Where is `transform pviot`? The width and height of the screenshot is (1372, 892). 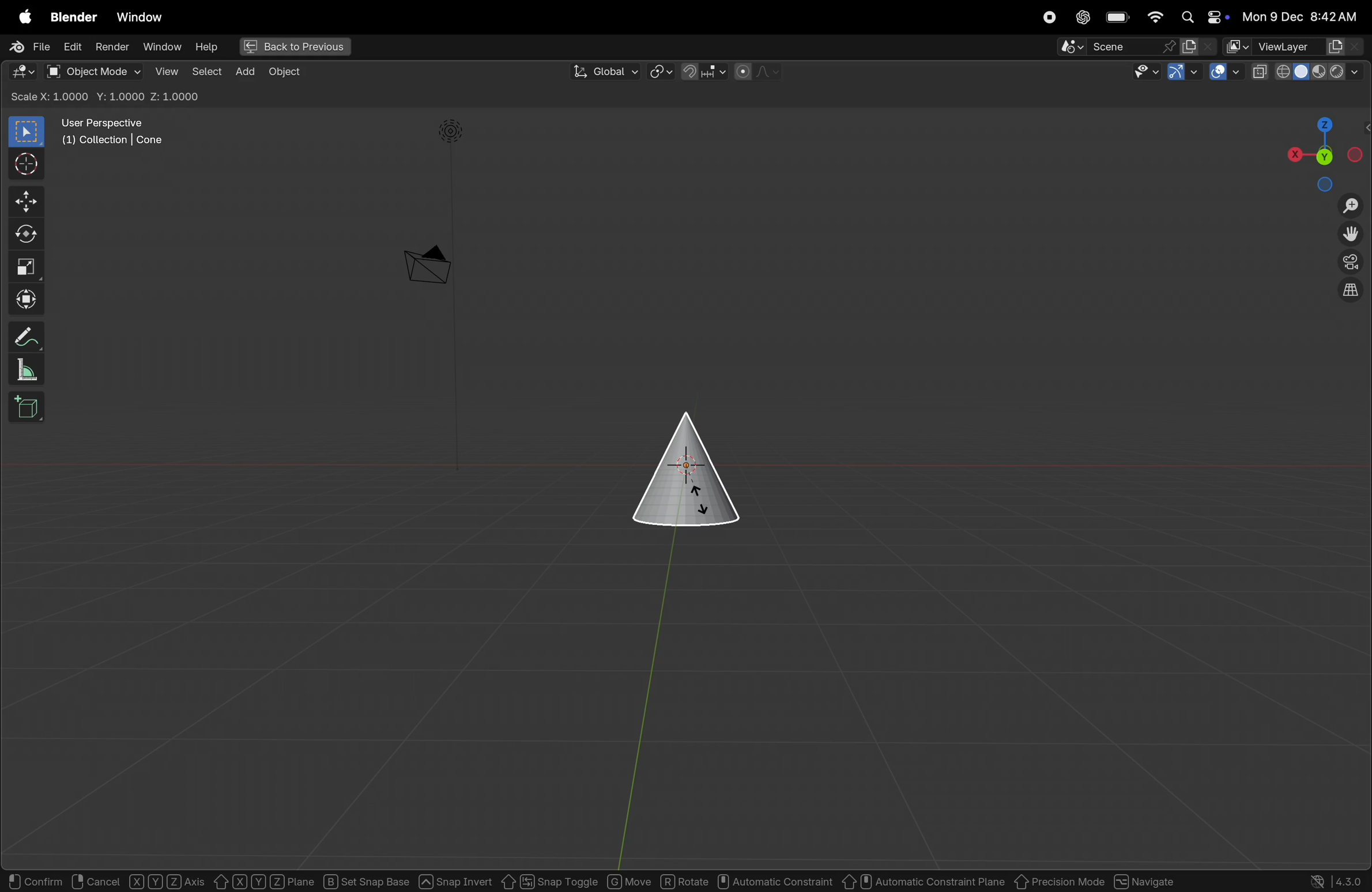
transform pviot is located at coordinates (661, 72).